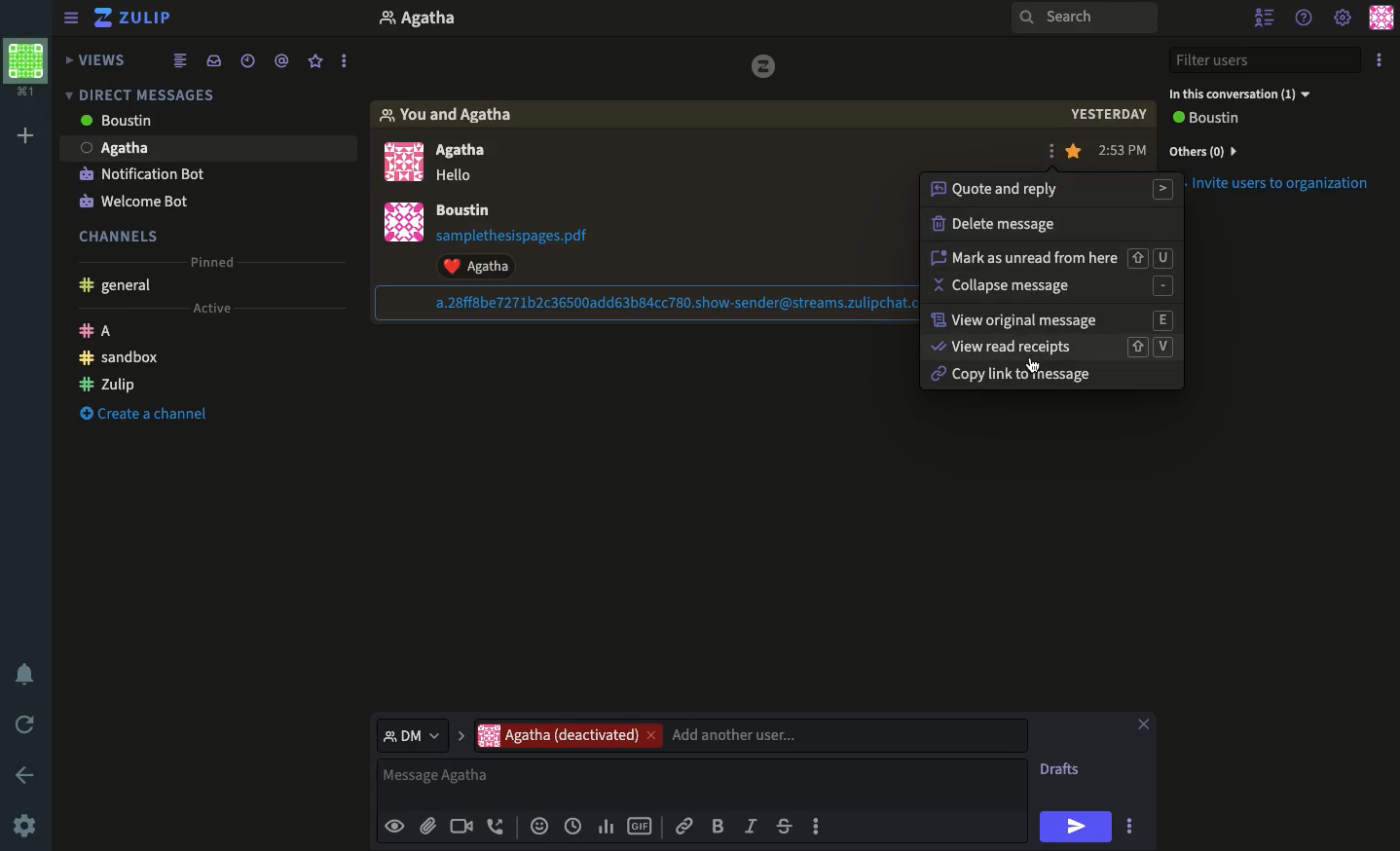 Image resolution: width=1400 pixels, height=851 pixels. What do you see at coordinates (818, 832) in the screenshot?
I see `options` at bounding box center [818, 832].